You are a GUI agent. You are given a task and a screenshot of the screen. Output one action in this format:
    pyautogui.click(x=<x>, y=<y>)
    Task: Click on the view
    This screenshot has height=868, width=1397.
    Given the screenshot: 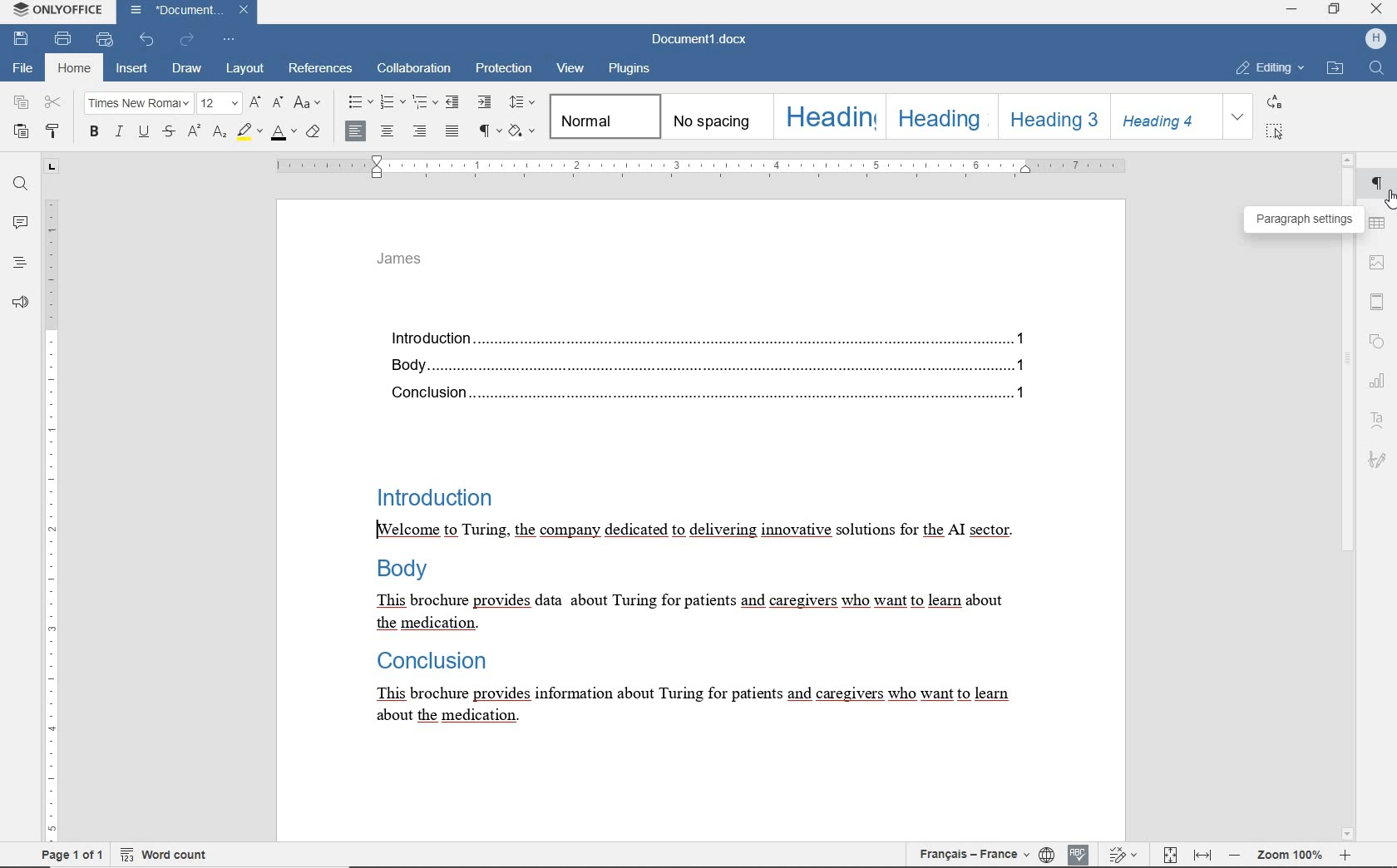 What is the action you would take?
    pyautogui.click(x=572, y=67)
    